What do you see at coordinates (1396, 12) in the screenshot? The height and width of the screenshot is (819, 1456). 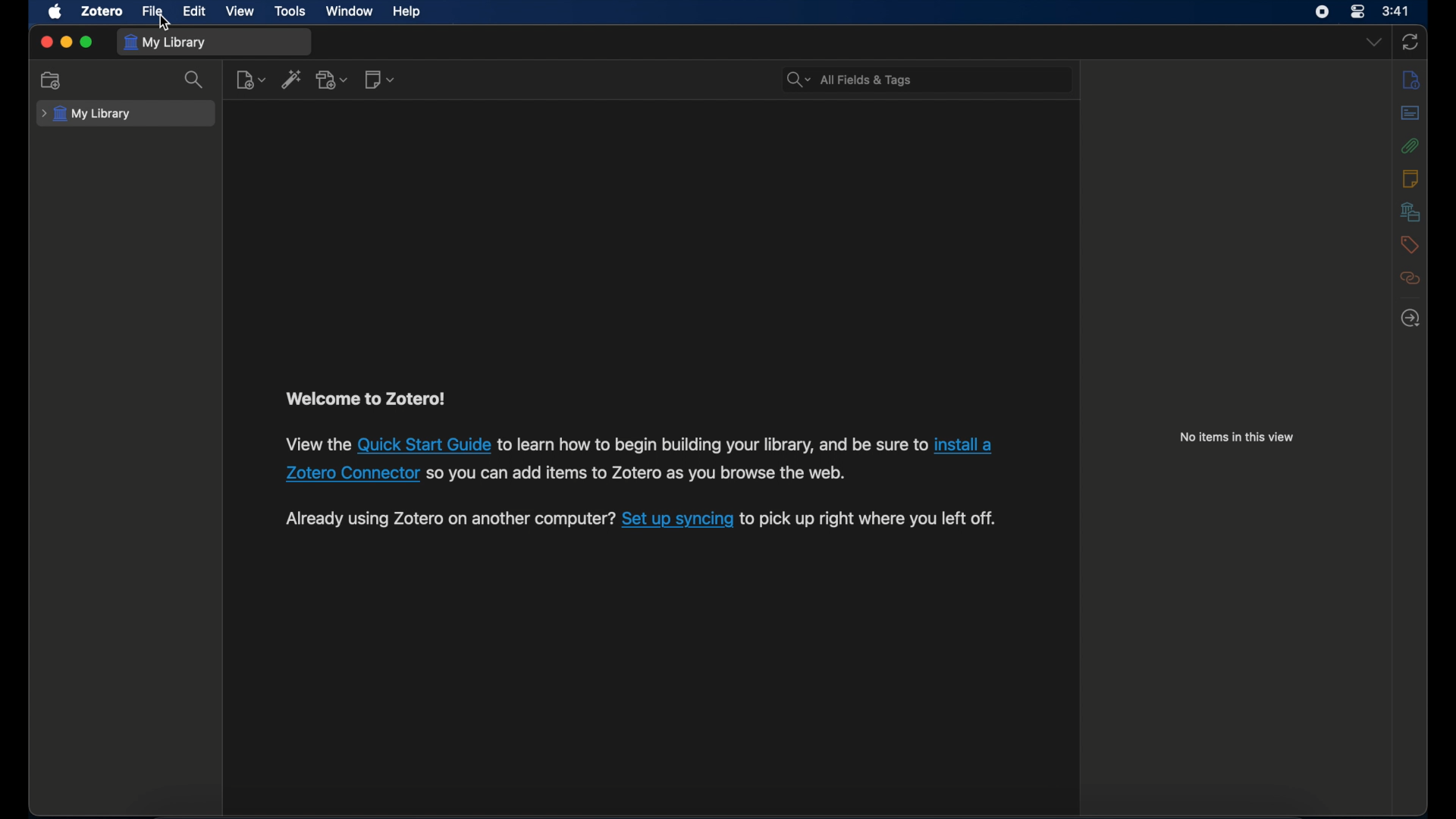 I see `3.41` at bounding box center [1396, 12].